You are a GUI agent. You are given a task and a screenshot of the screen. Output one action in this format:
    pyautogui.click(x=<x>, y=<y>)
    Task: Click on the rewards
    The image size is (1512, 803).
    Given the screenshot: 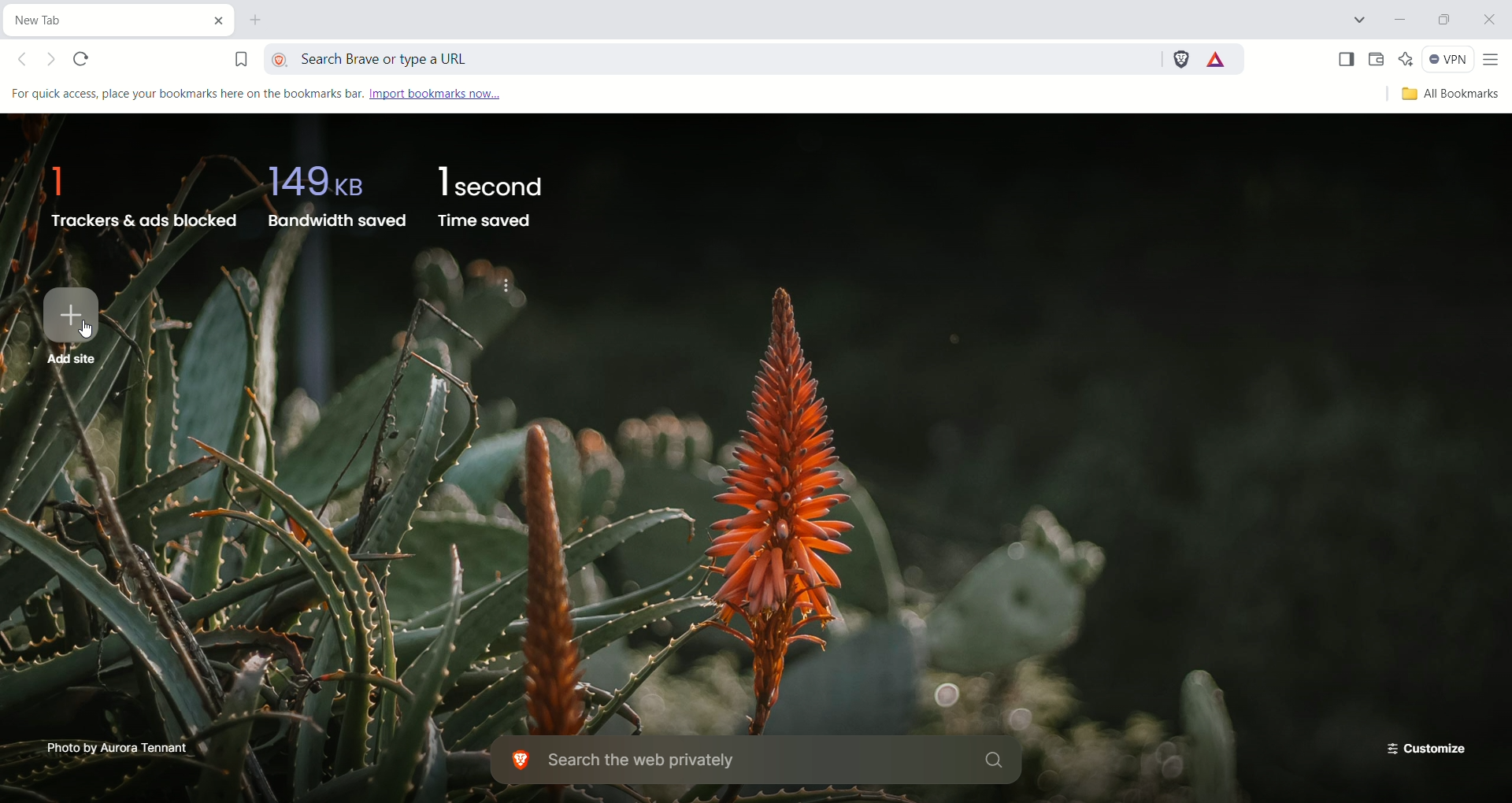 What is the action you would take?
    pyautogui.click(x=1217, y=60)
    